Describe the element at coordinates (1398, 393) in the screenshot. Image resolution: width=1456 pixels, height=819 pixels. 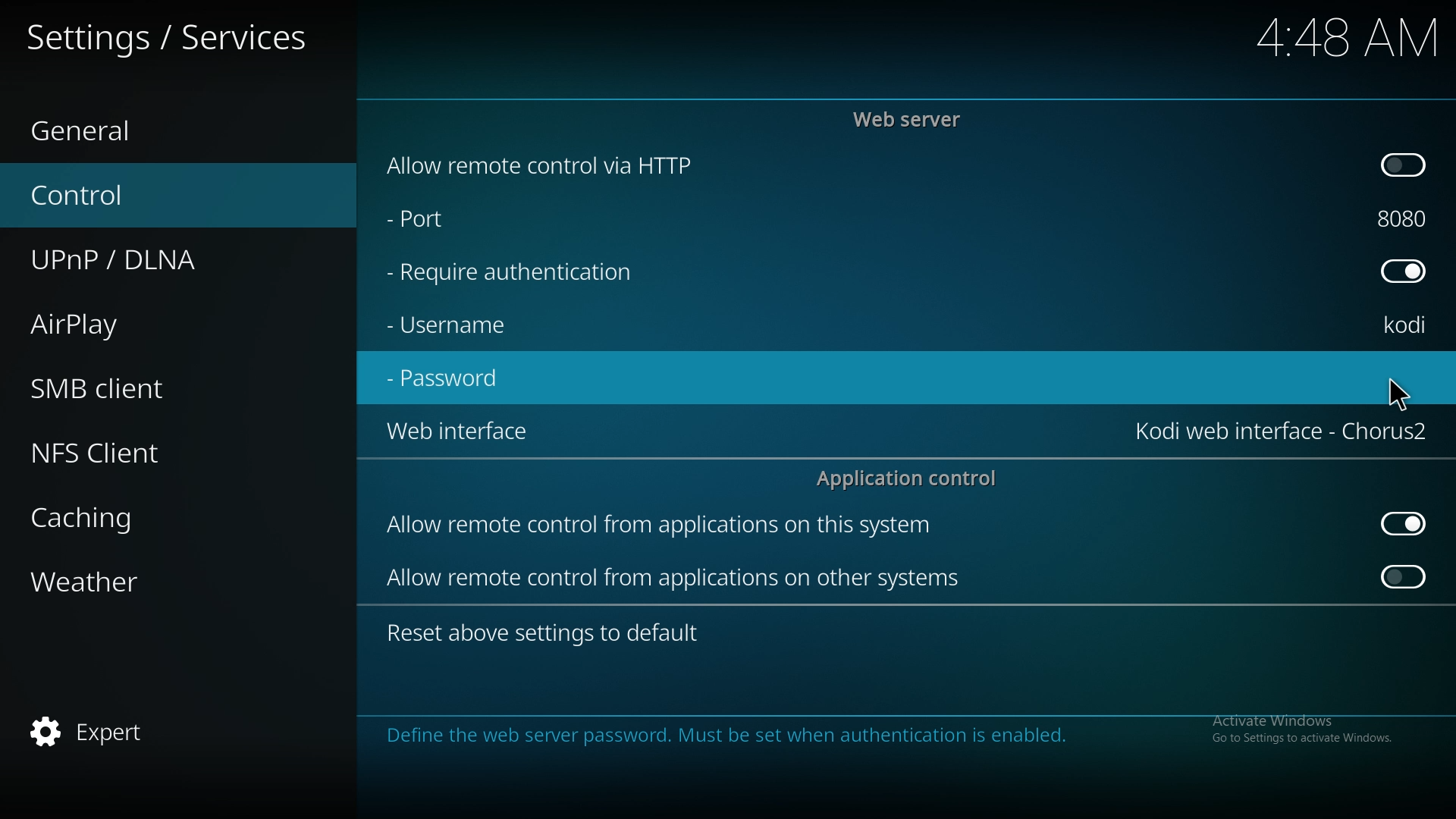
I see `` at that location.